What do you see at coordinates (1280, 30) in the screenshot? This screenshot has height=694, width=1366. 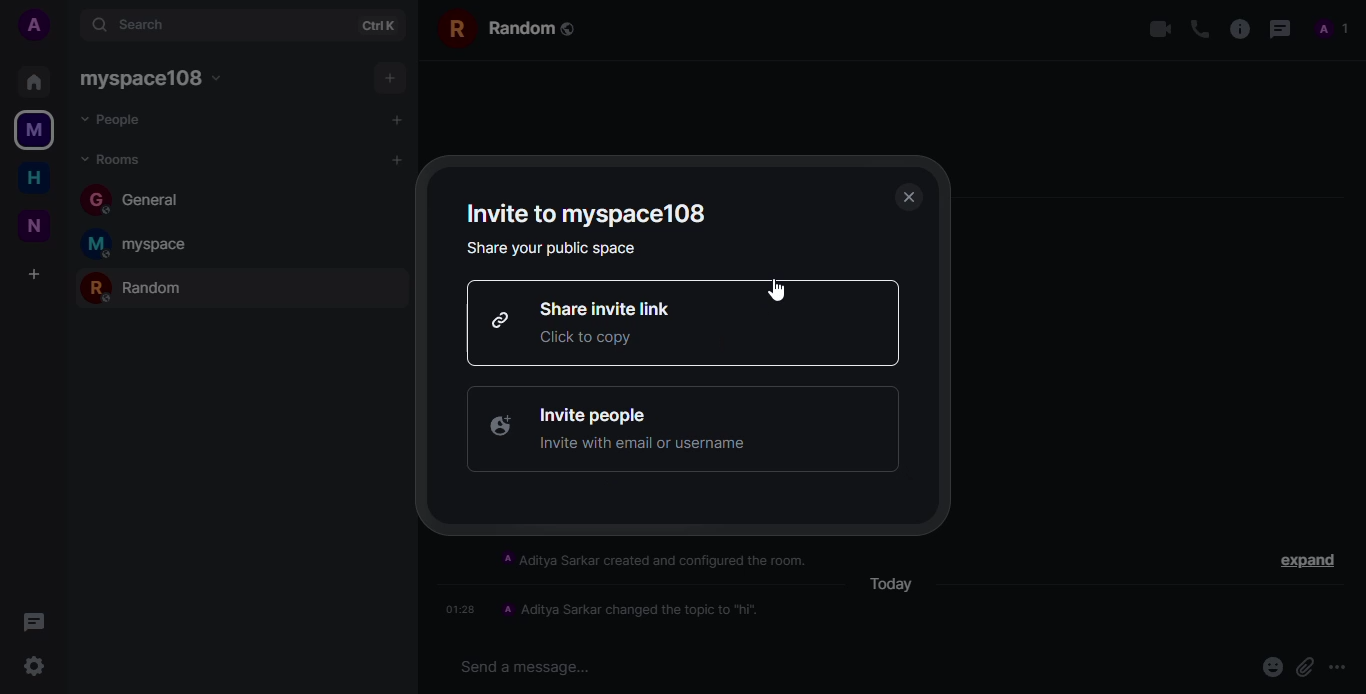 I see `threads` at bounding box center [1280, 30].